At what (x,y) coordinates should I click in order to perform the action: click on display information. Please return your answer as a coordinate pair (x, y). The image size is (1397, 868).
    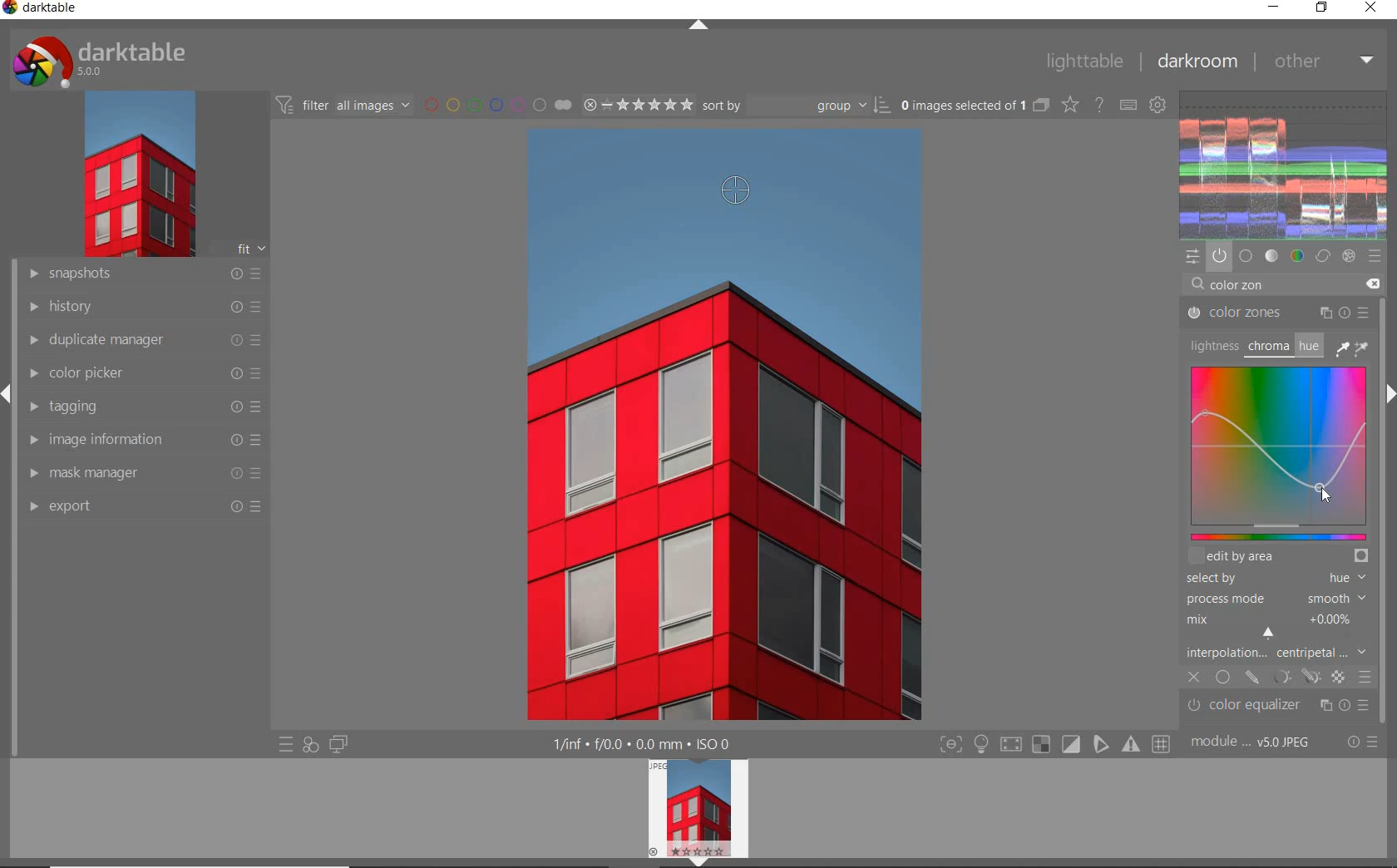
    Looking at the image, I should click on (643, 744).